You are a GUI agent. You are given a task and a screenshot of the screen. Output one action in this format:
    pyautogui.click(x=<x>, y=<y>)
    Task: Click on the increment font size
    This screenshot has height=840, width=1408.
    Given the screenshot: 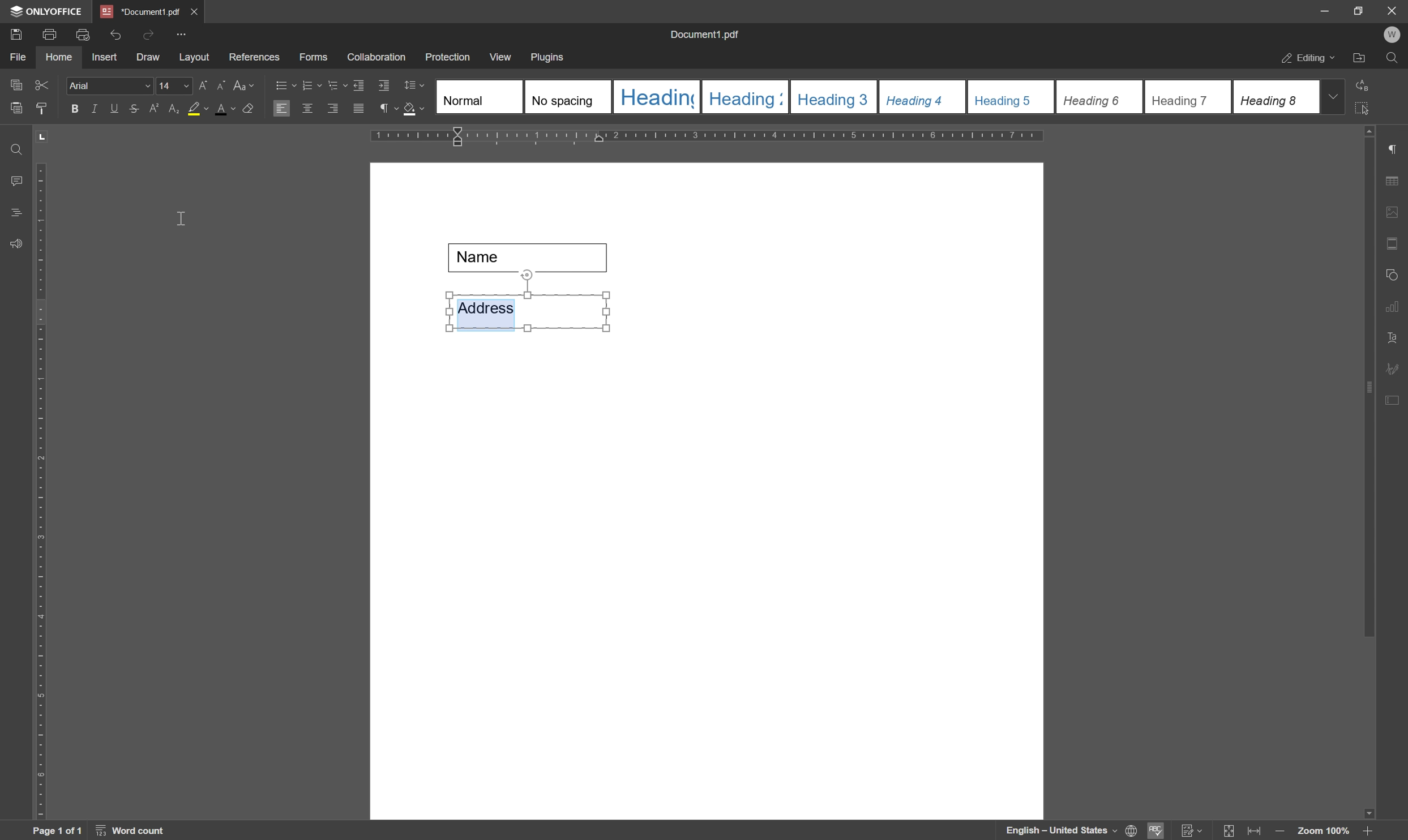 What is the action you would take?
    pyautogui.click(x=198, y=87)
    